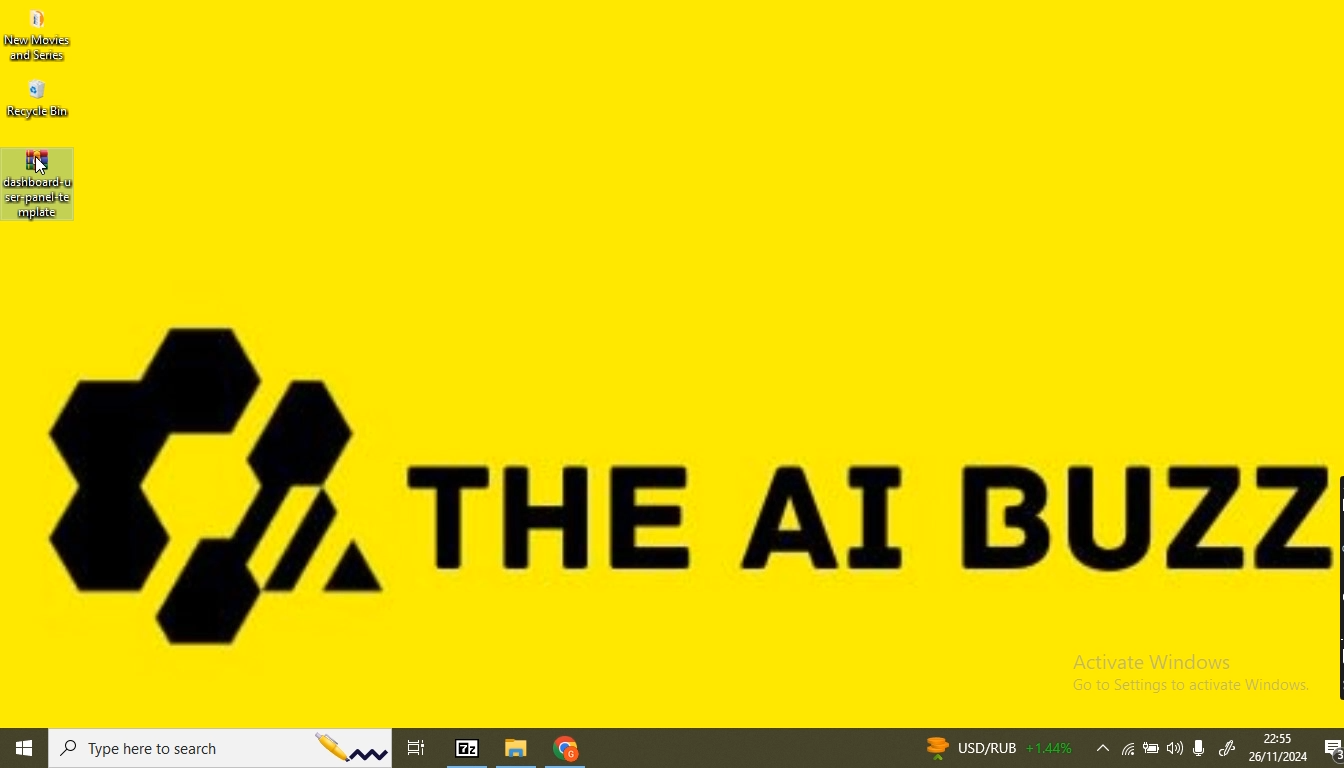 The width and height of the screenshot is (1344, 768). What do you see at coordinates (519, 749) in the screenshot?
I see `file browser` at bounding box center [519, 749].